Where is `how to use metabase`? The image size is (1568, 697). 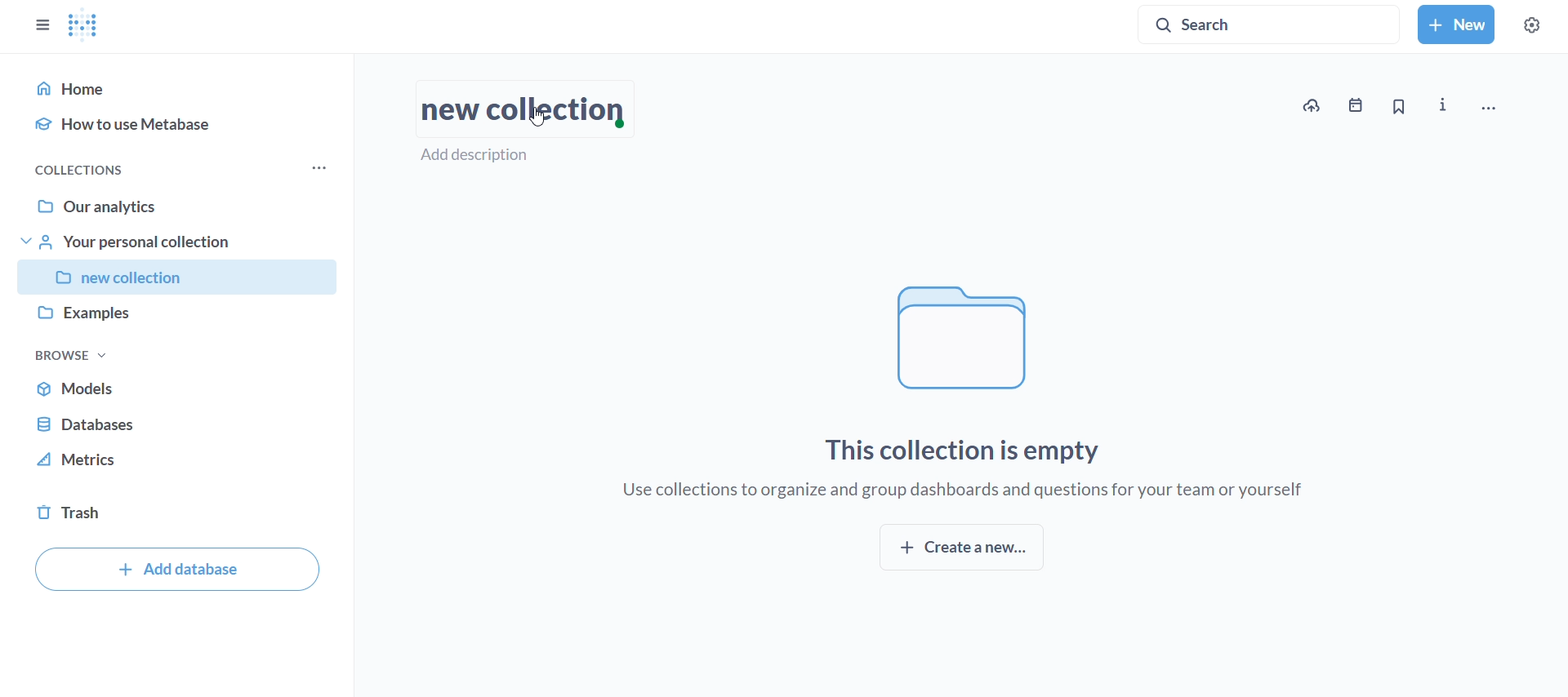 how to use metabase is located at coordinates (178, 123).